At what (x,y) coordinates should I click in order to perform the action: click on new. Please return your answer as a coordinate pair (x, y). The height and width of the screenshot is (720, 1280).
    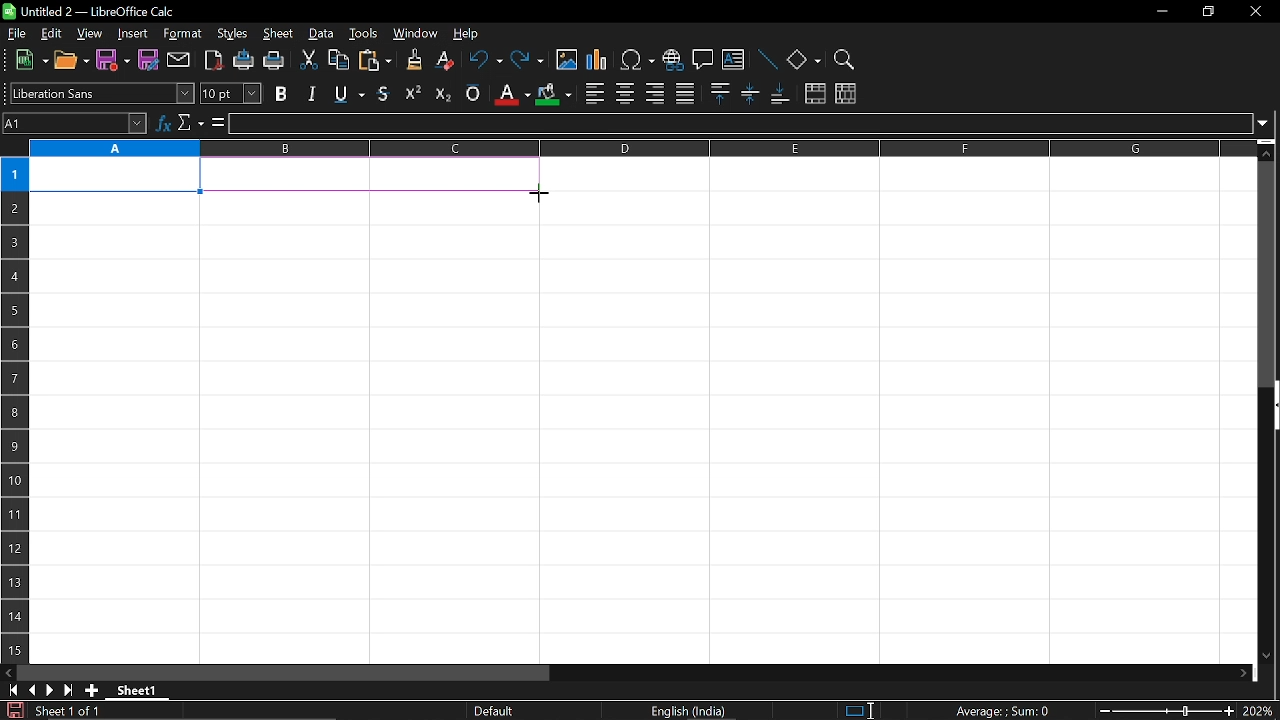
    Looking at the image, I should click on (27, 61).